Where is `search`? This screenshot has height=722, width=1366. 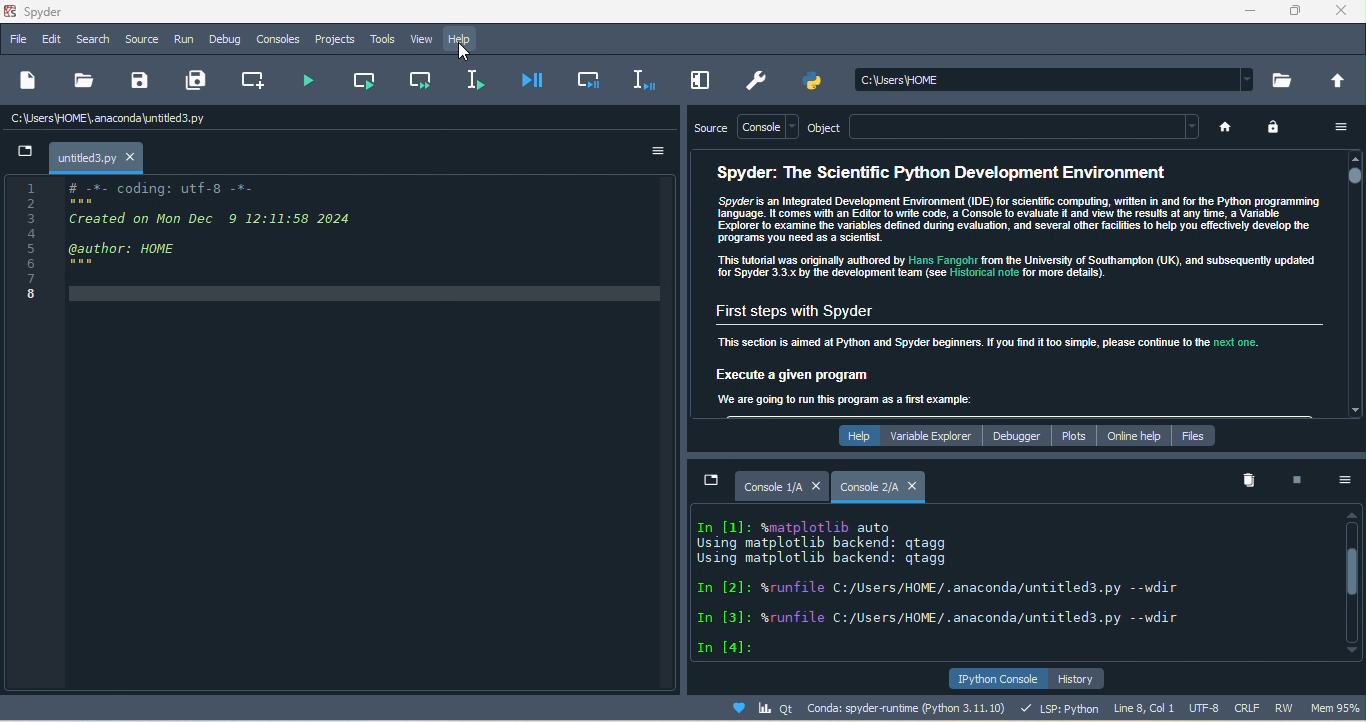 search is located at coordinates (91, 40).